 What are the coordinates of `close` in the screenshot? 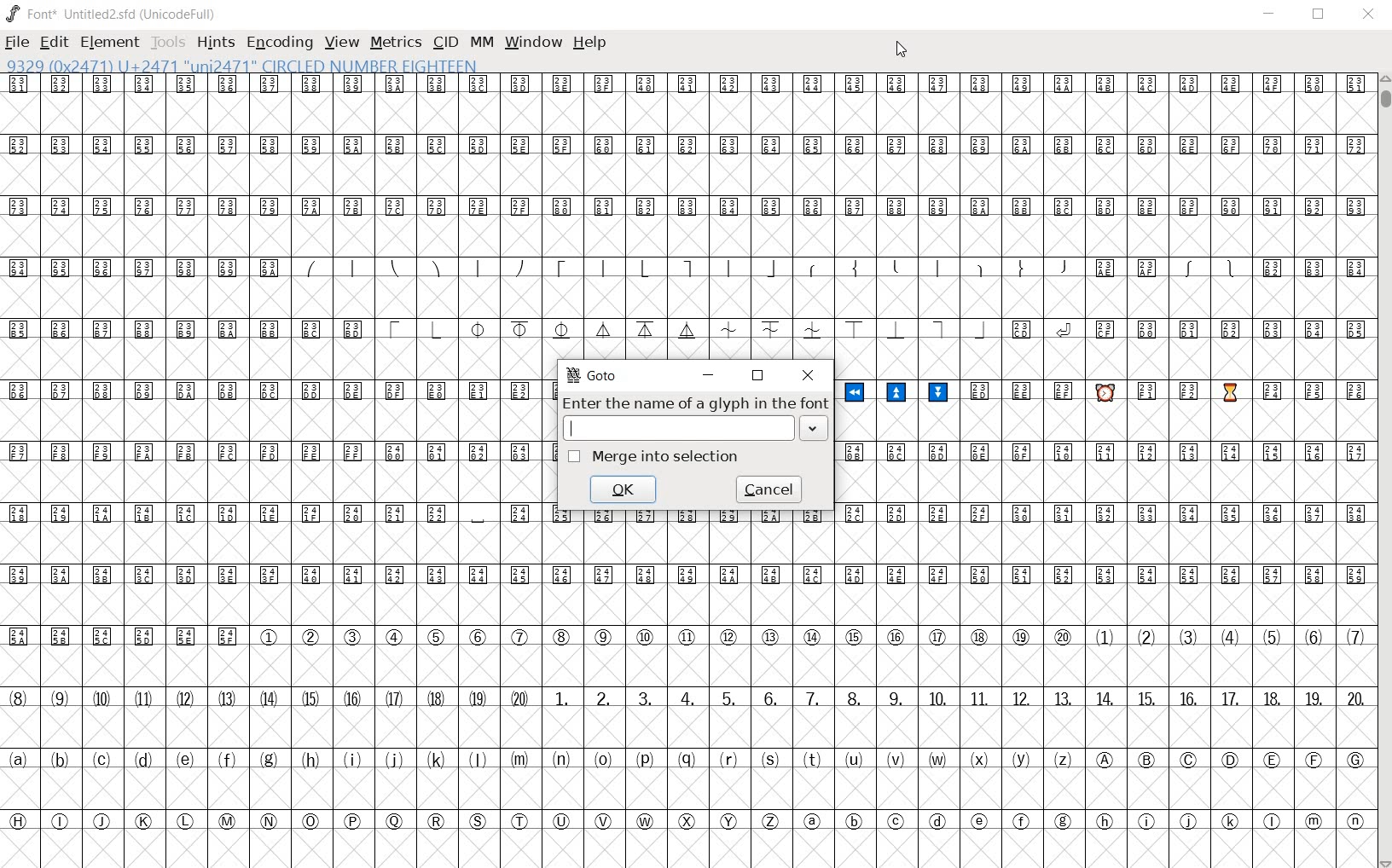 It's located at (1372, 14).